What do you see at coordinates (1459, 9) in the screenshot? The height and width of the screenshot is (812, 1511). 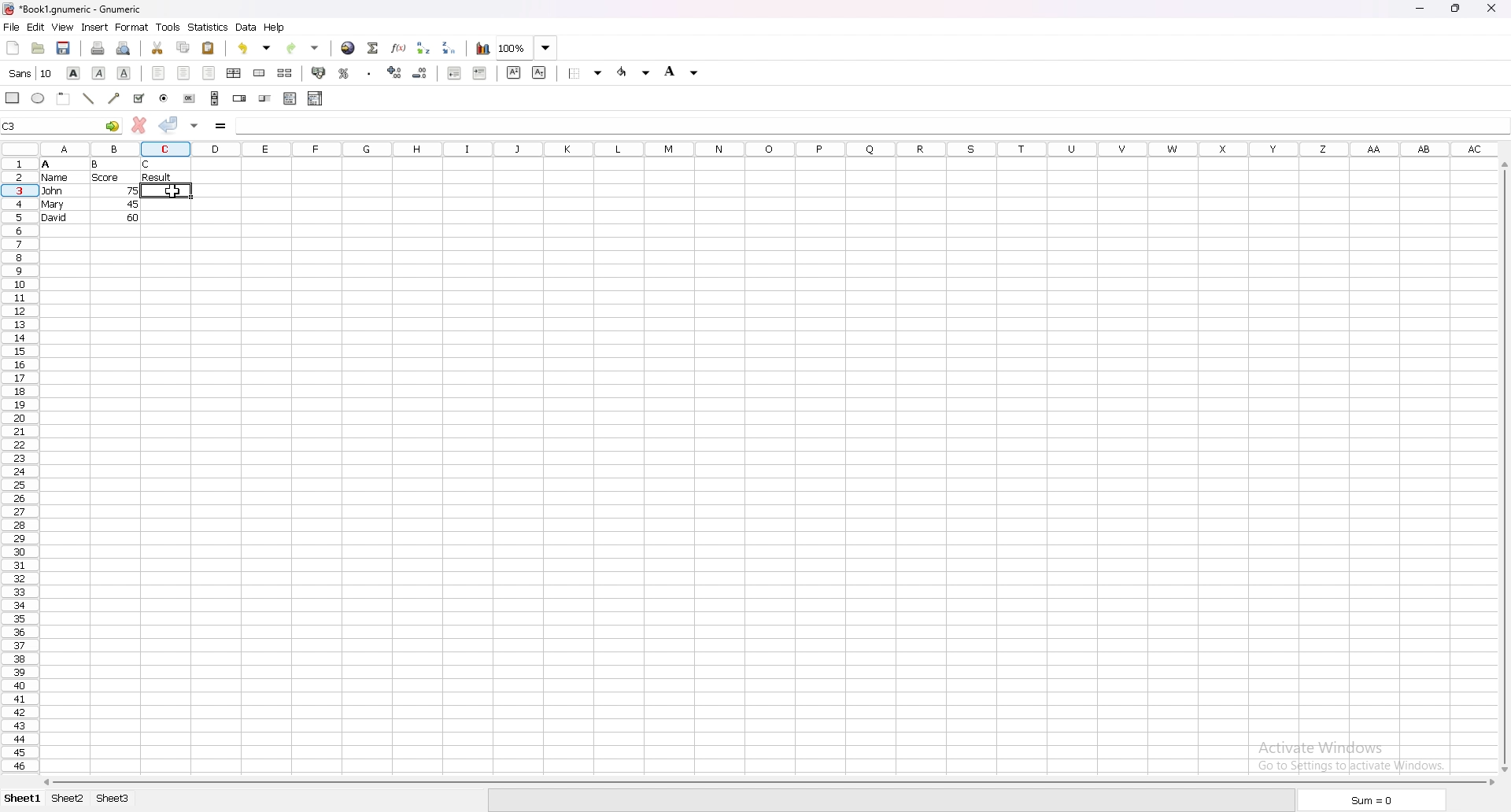 I see `resize` at bounding box center [1459, 9].